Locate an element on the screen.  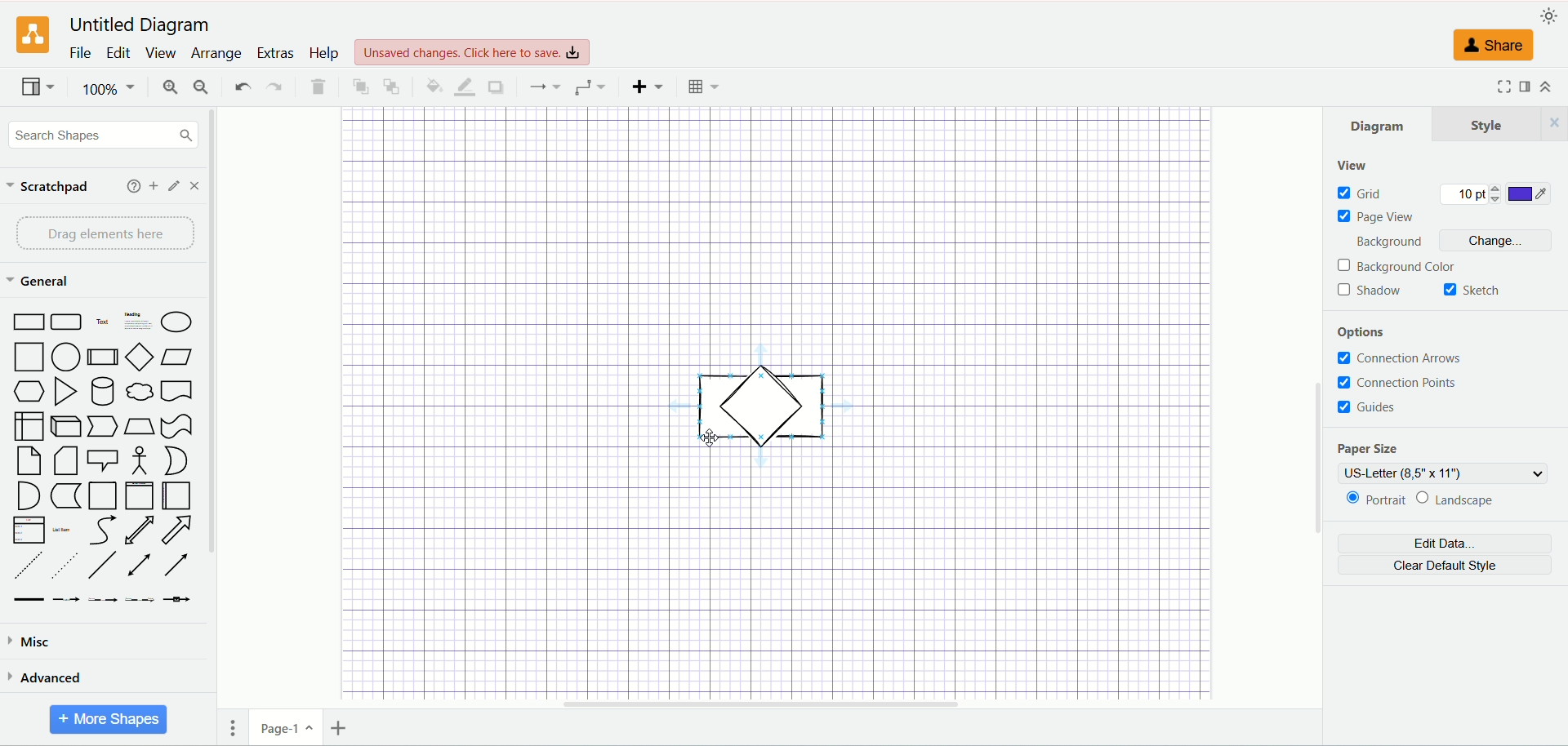
change is located at coordinates (1499, 241).